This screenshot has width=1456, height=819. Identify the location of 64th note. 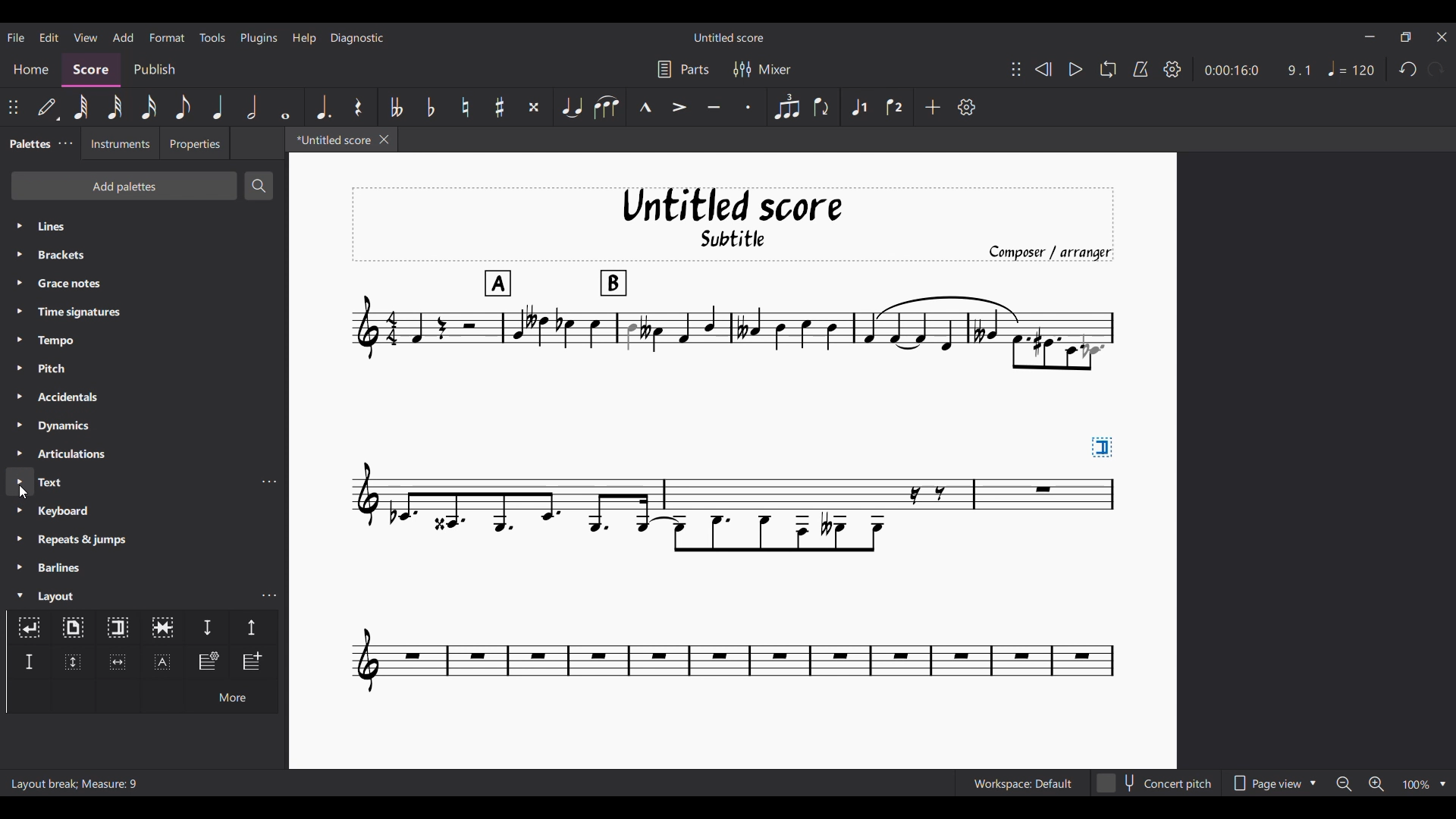
(81, 107).